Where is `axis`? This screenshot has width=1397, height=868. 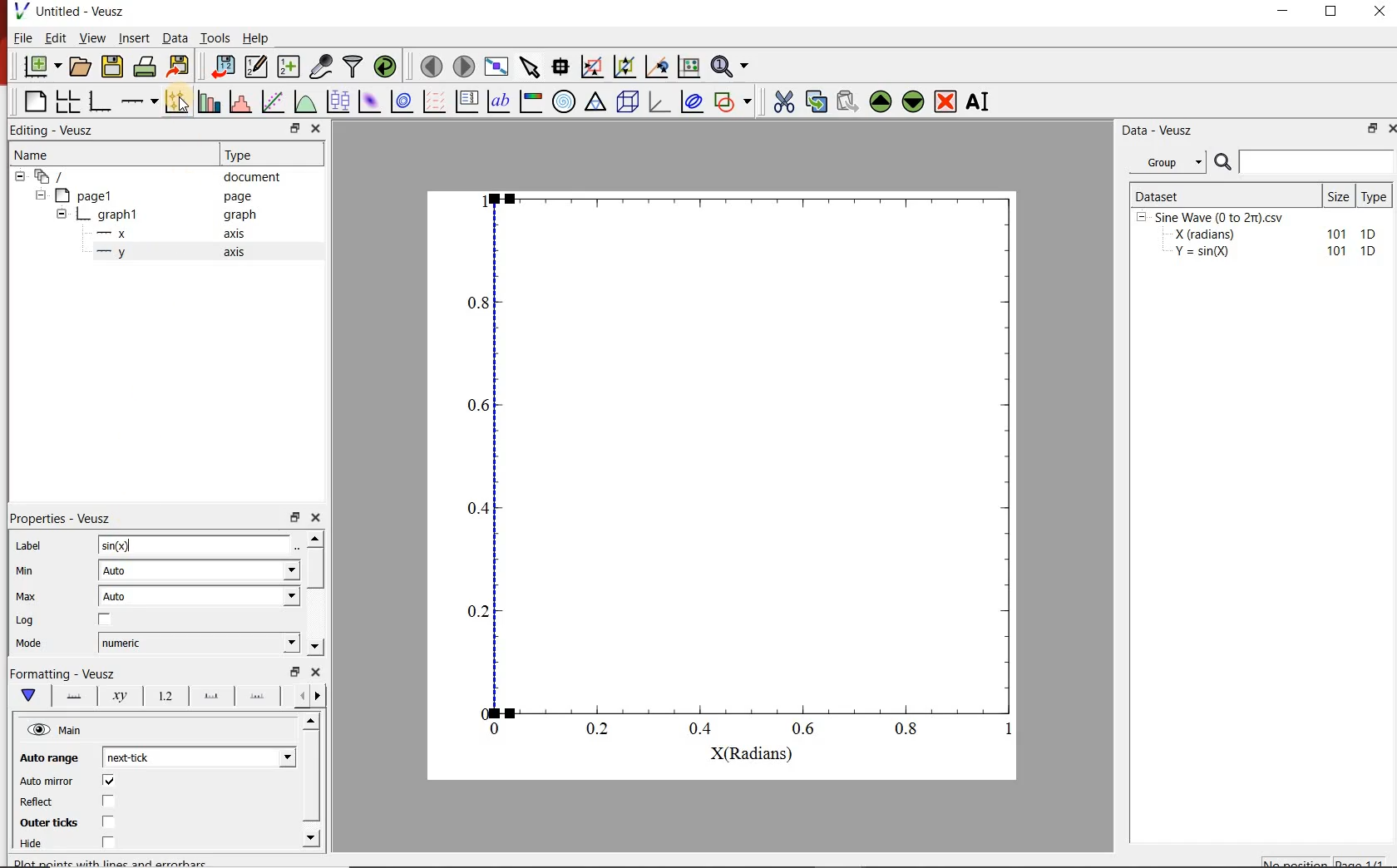 axis is located at coordinates (233, 251).